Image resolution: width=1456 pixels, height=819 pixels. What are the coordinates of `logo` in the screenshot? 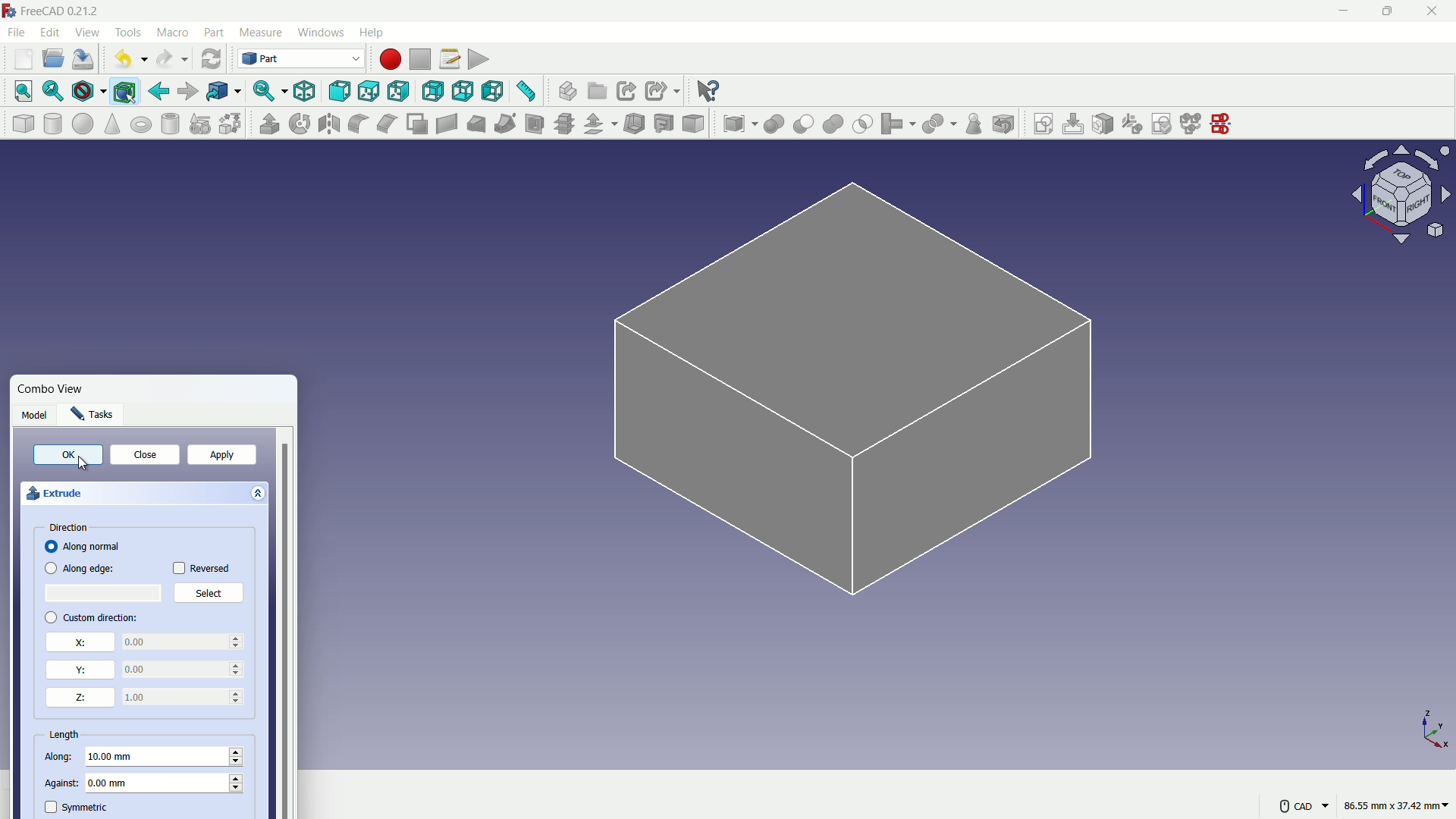 It's located at (11, 11).